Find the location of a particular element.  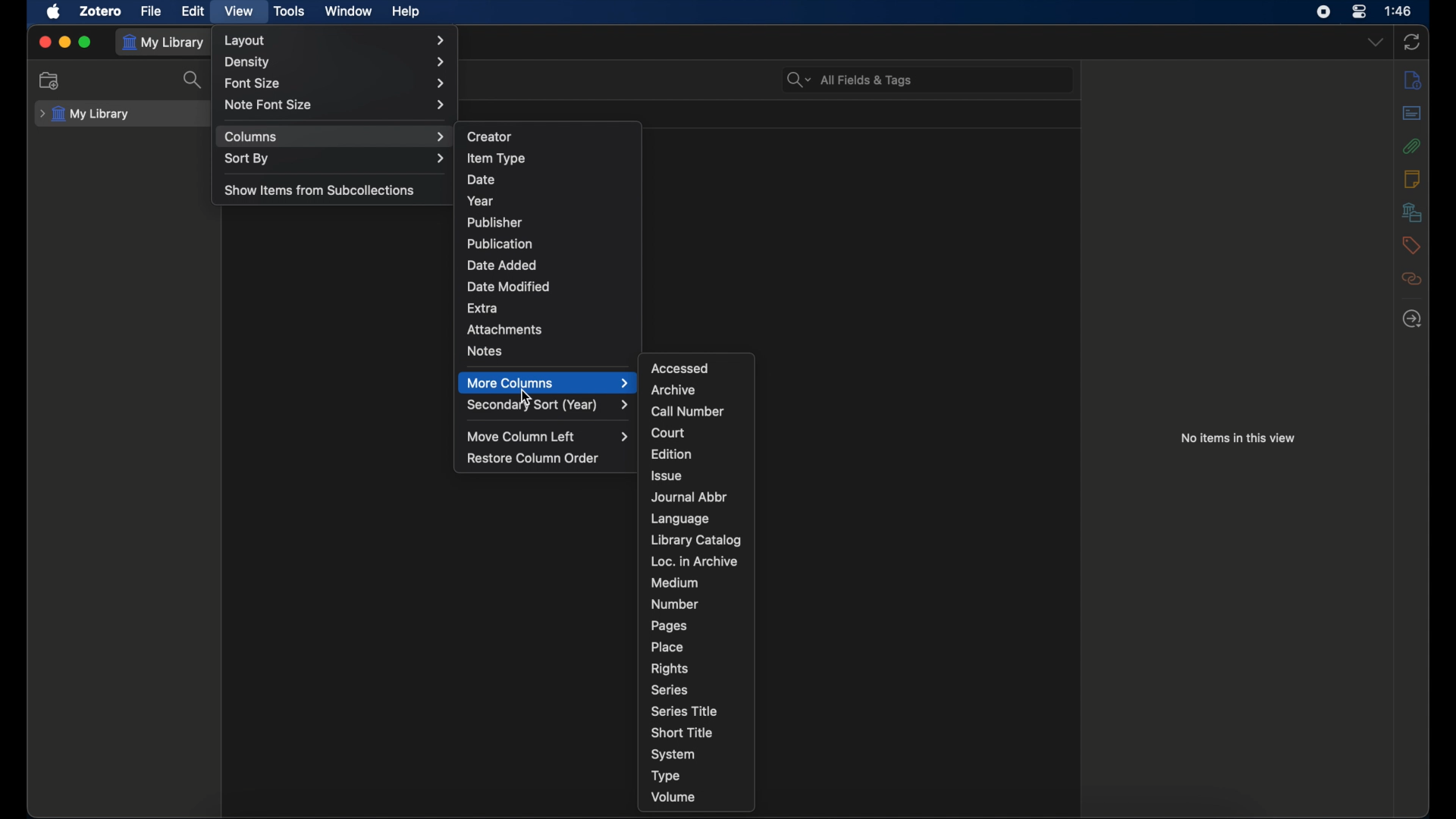

journal abbr is located at coordinates (689, 497).